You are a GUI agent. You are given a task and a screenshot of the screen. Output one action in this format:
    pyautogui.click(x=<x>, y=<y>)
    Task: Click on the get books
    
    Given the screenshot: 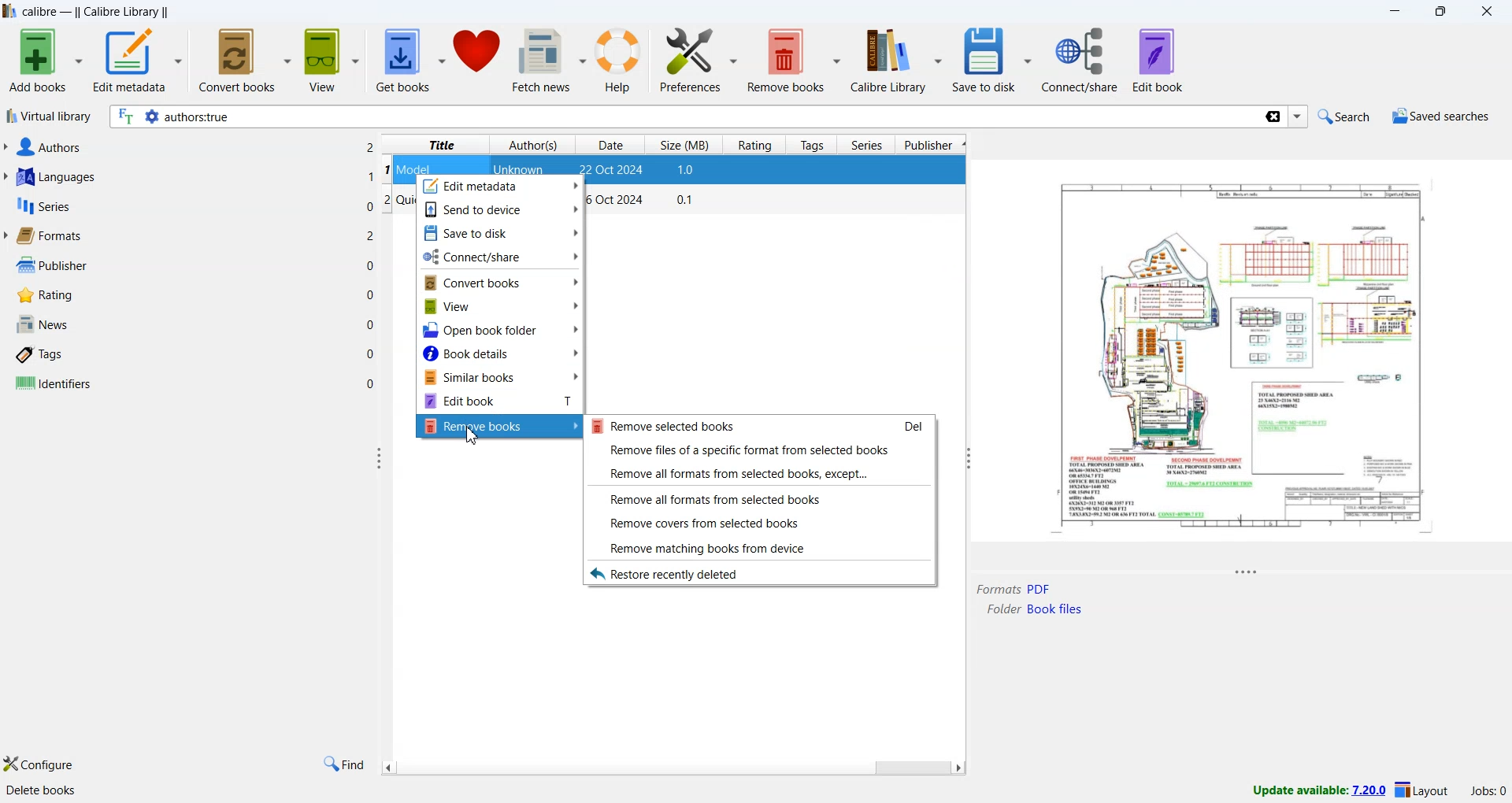 What is the action you would take?
    pyautogui.click(x=410, y=61)
    